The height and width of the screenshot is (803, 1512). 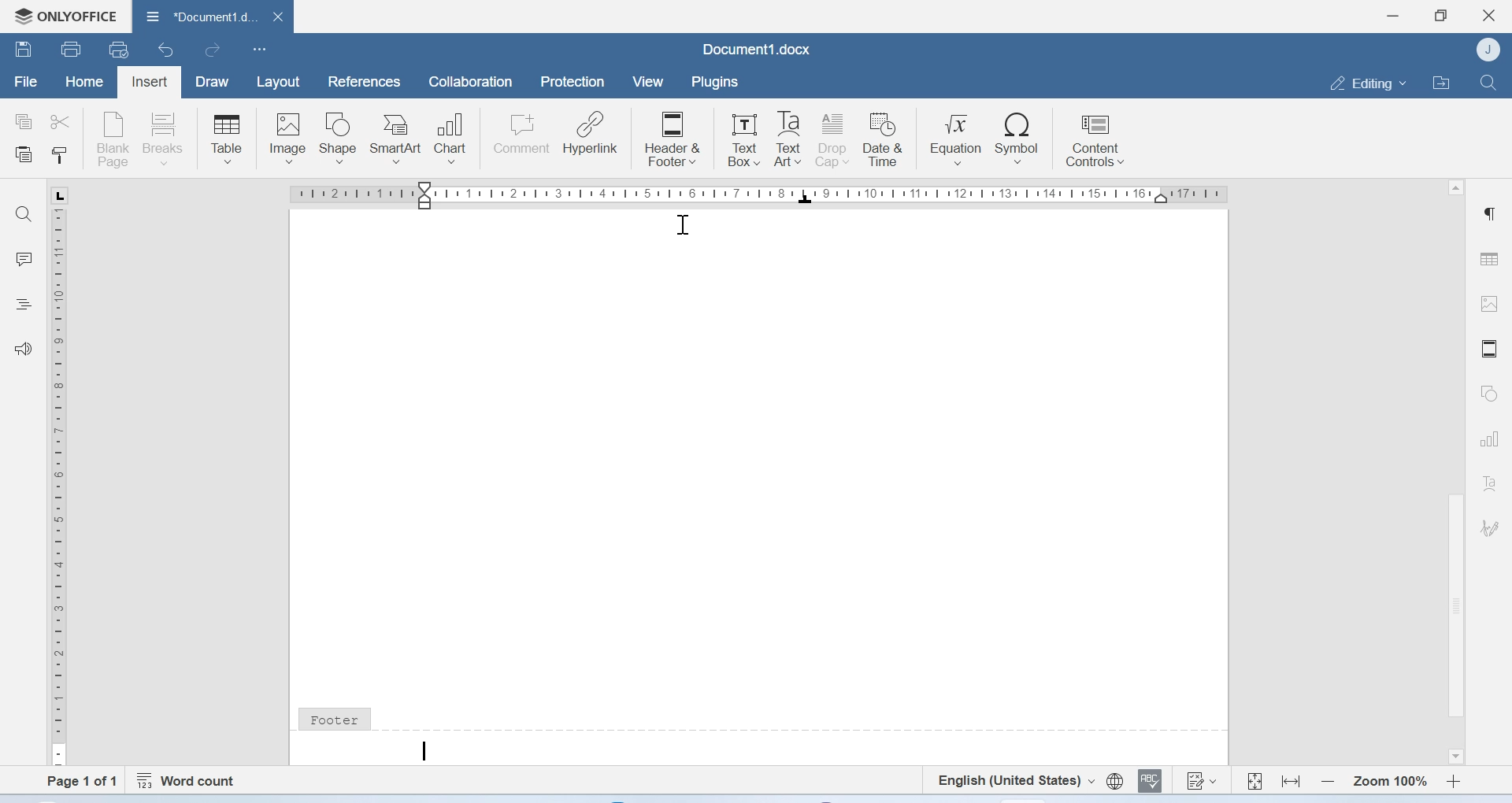 I want to click on Scroll up, so click(x=1455, y=187).